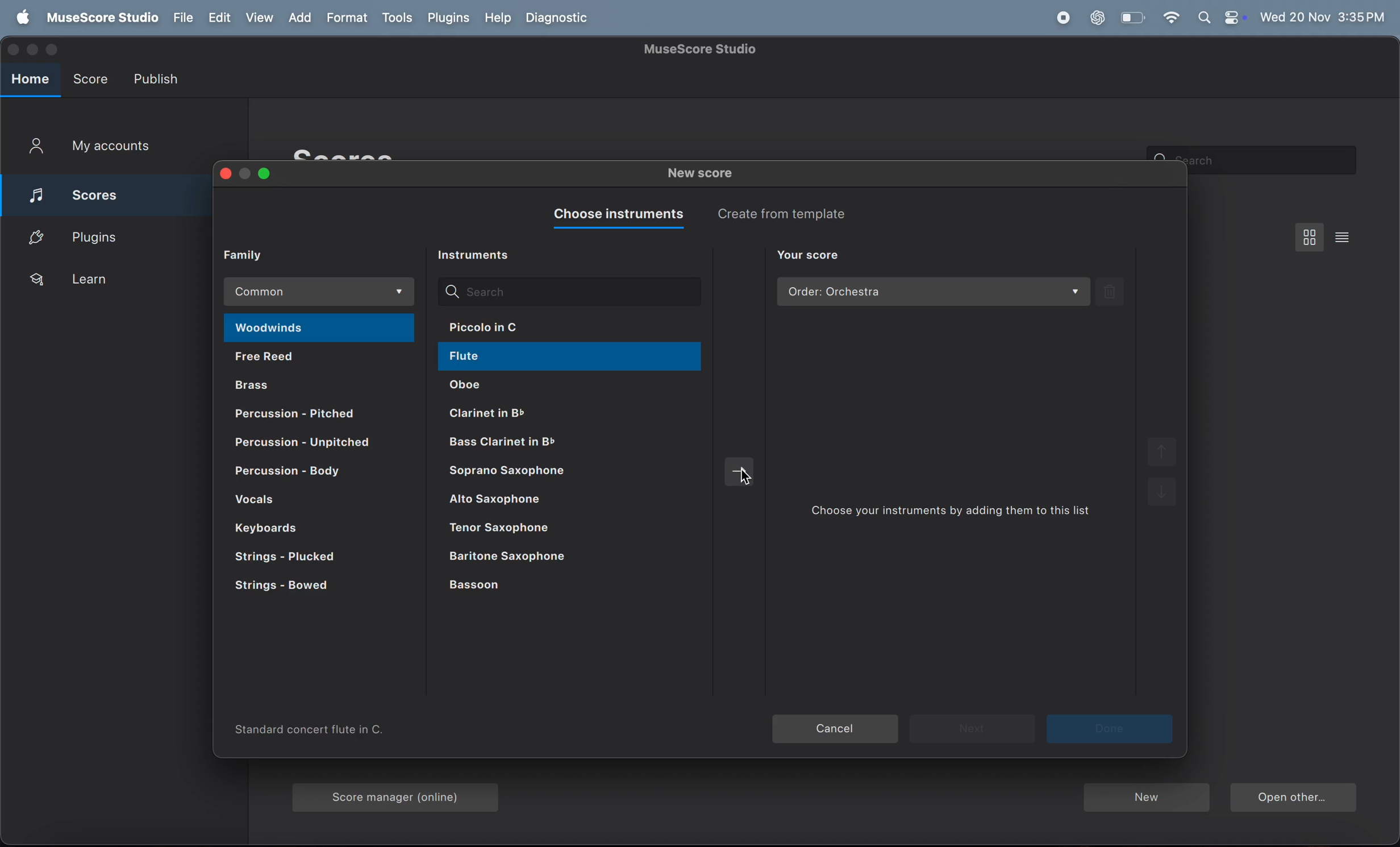 The width and height of the screenshot is (1400, 847). I want to click on new score, so click(704, 175).